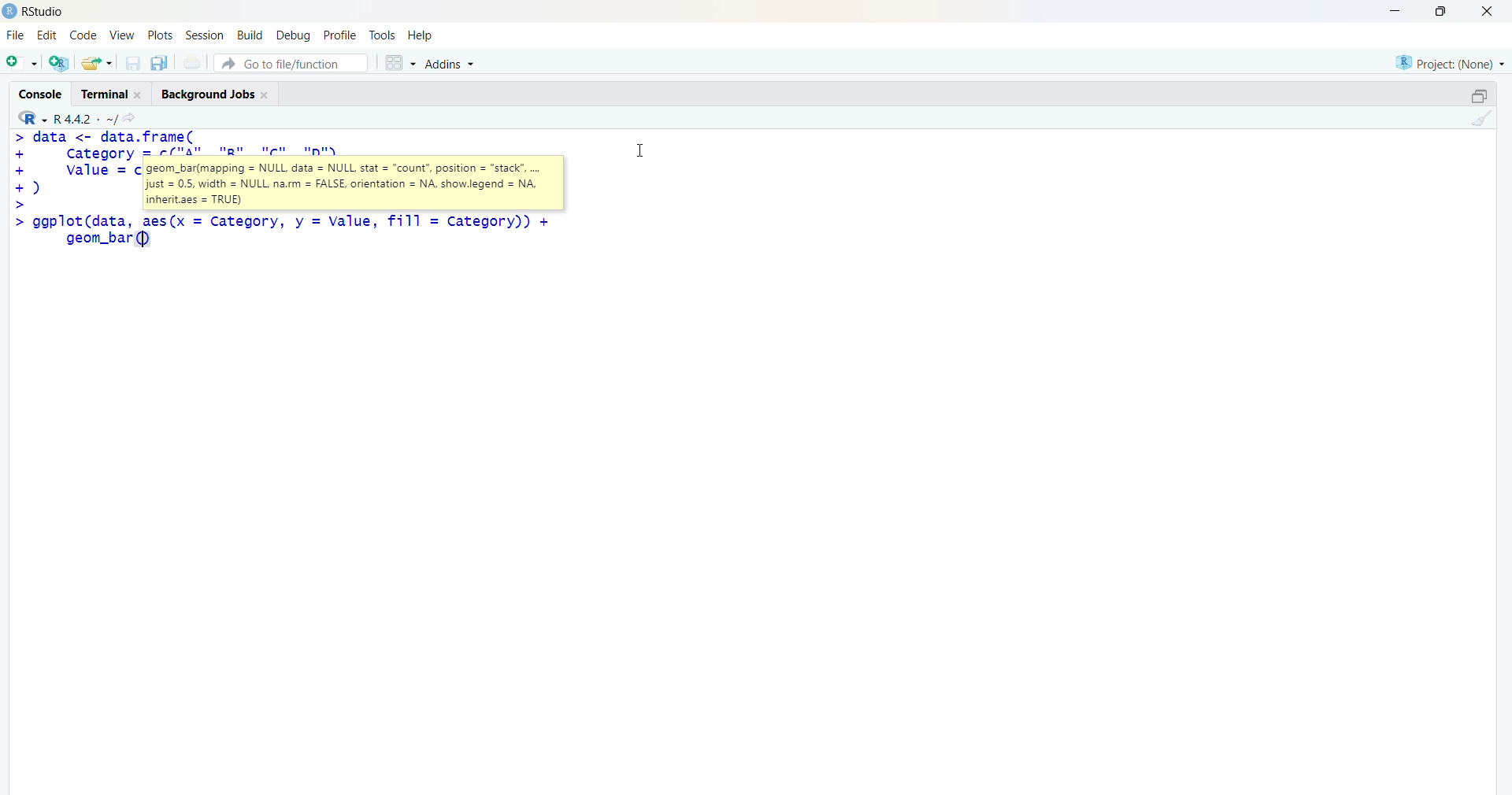 The height and width of the screenshot is (795, 1512). What do you see at coordinates (453, 65) in the screenshot?
I see `Addins` at bounding box center [453, 65].